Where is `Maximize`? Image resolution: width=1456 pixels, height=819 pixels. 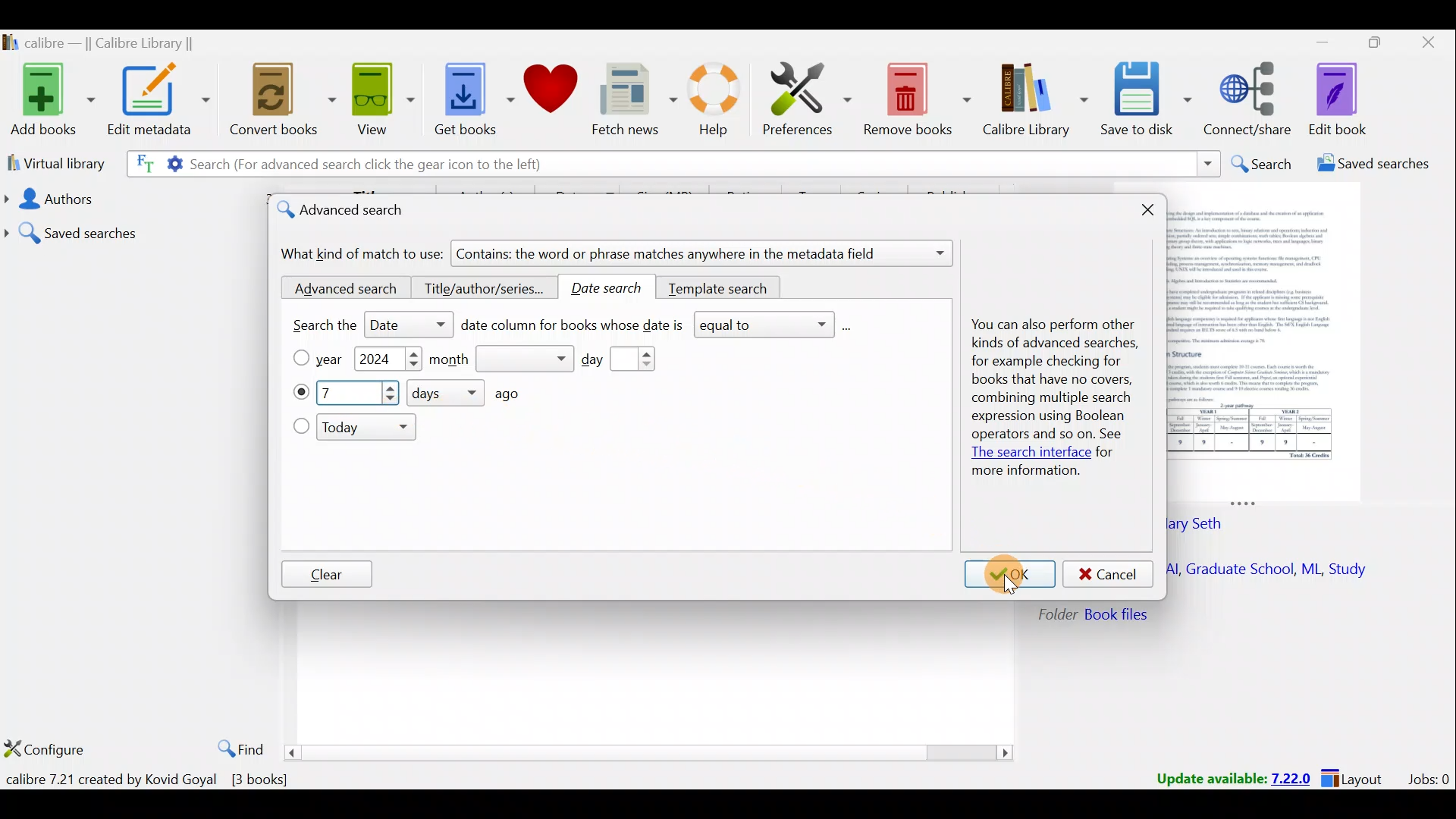
Maximize is located at coordinates (1368, 45).